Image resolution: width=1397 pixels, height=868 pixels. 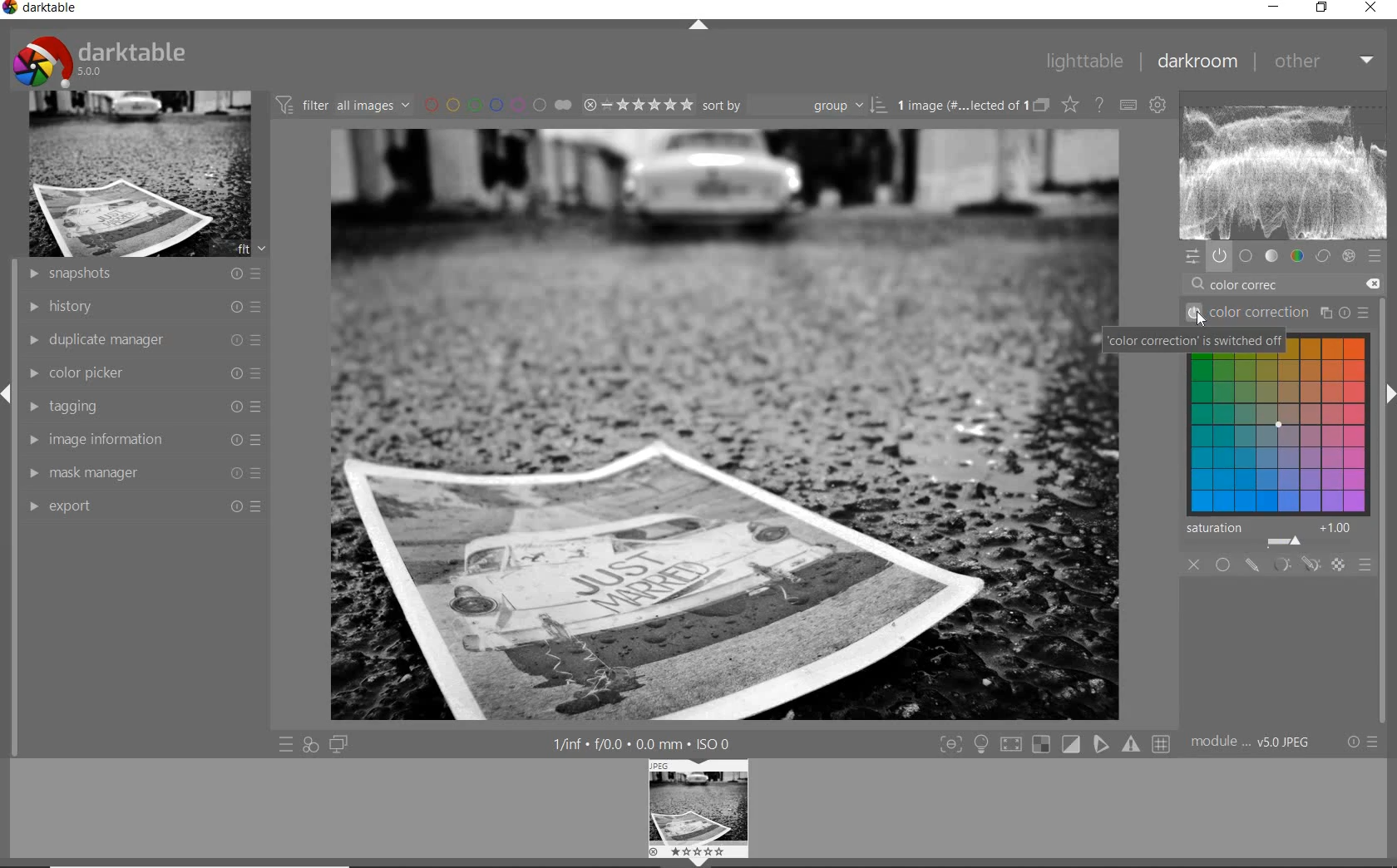 What do you see at coordinates (144, 307) in the screenshot?
I see `history` at bounding box center [144, 307].